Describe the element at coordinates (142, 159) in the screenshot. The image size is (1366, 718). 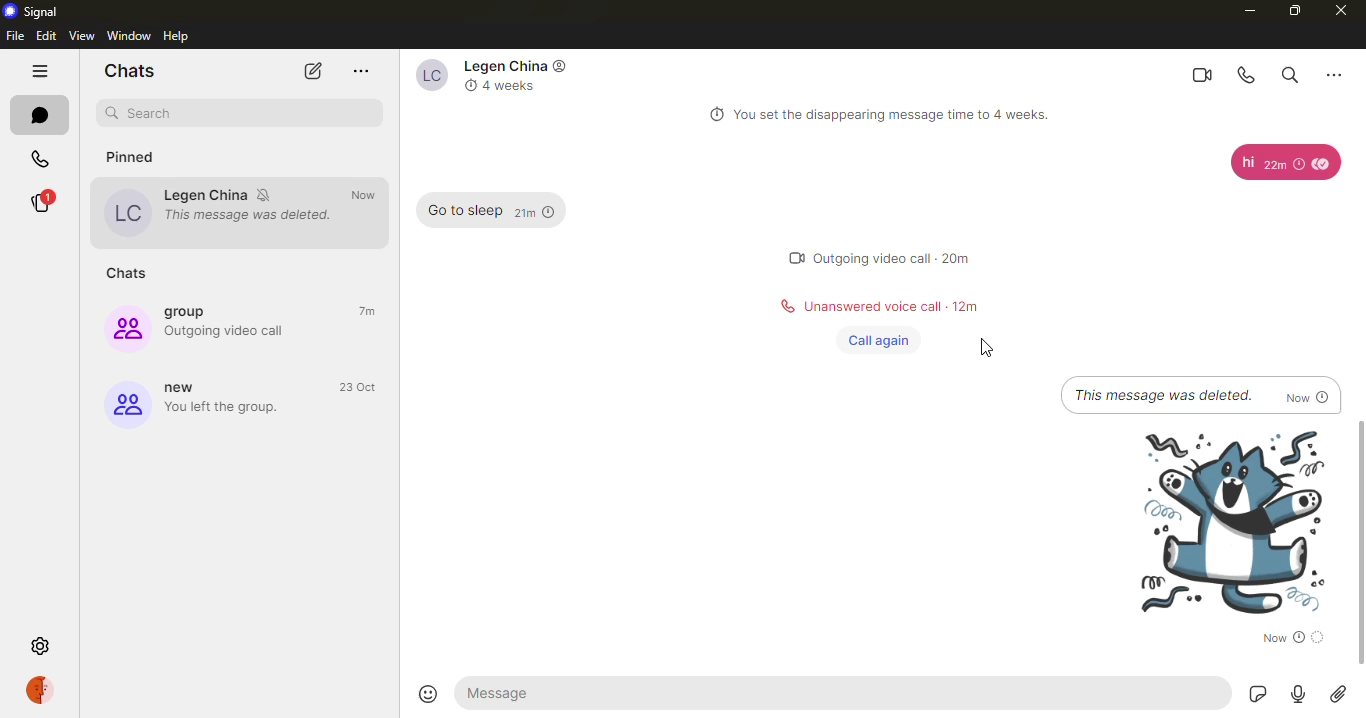
I see `pinned` at that location.